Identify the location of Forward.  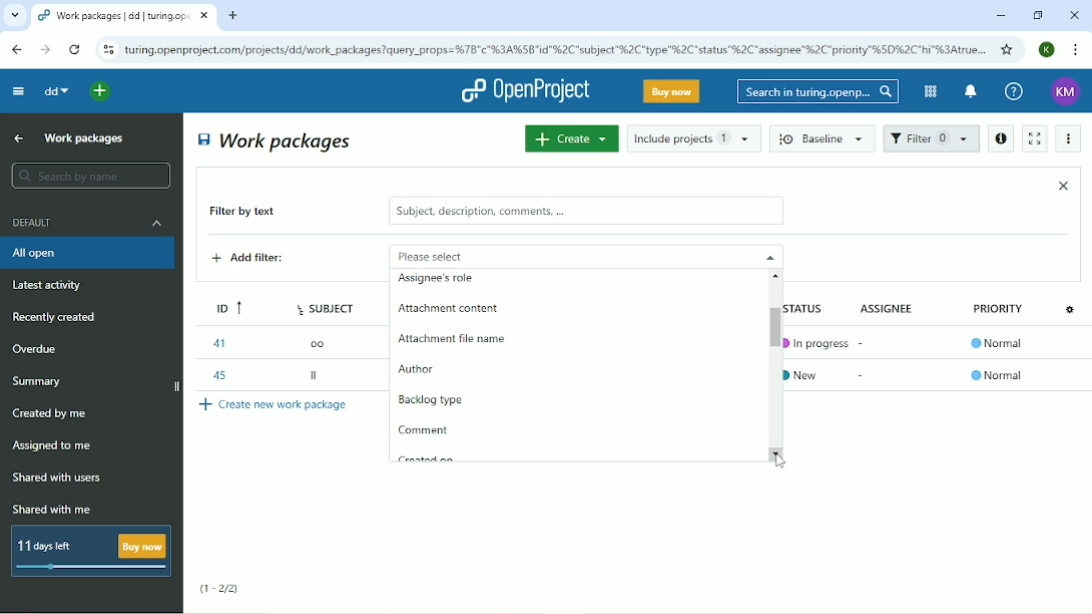
(43, 50).